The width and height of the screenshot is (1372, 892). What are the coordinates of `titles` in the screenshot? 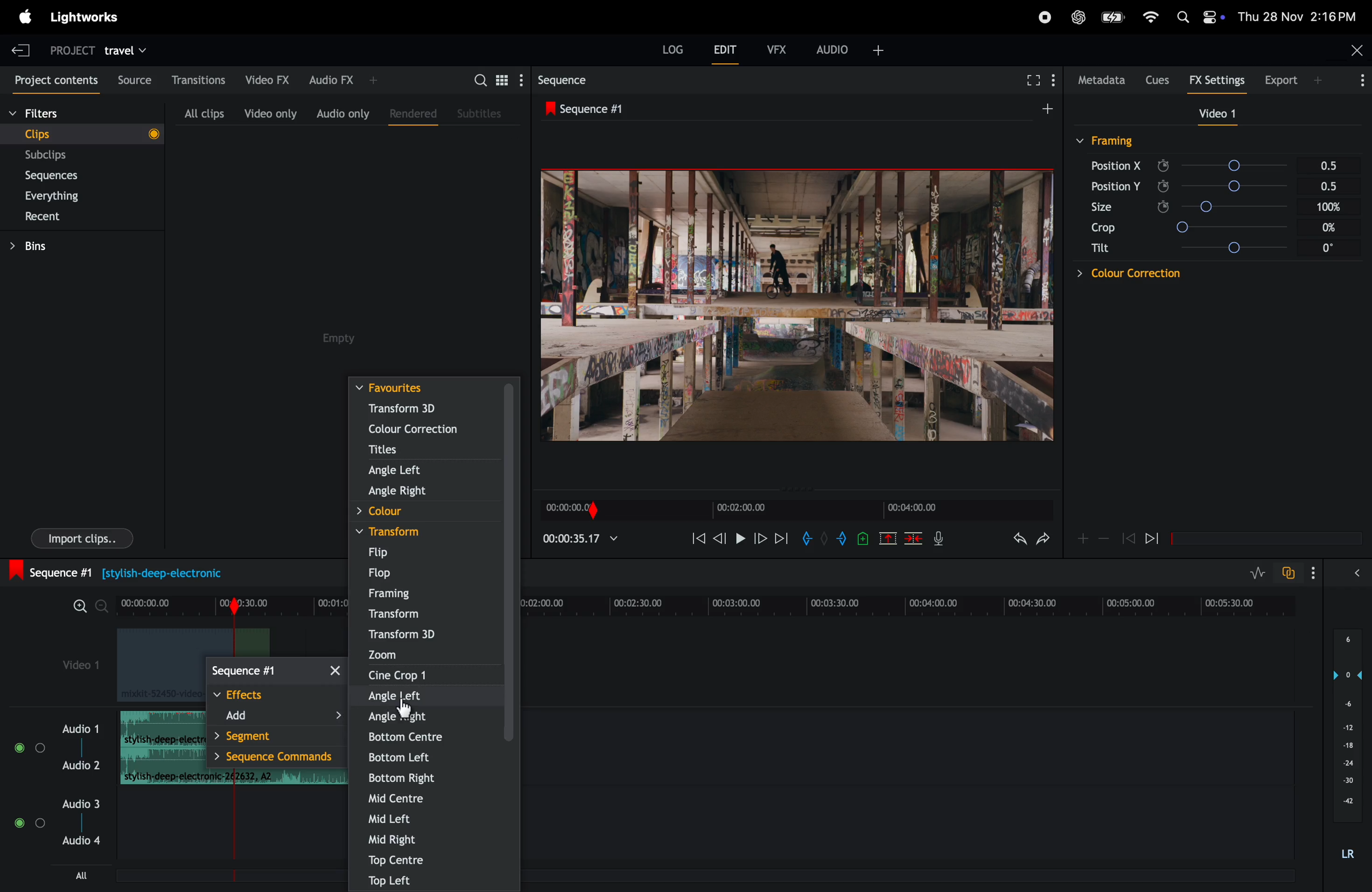 It's located at (427, 451).